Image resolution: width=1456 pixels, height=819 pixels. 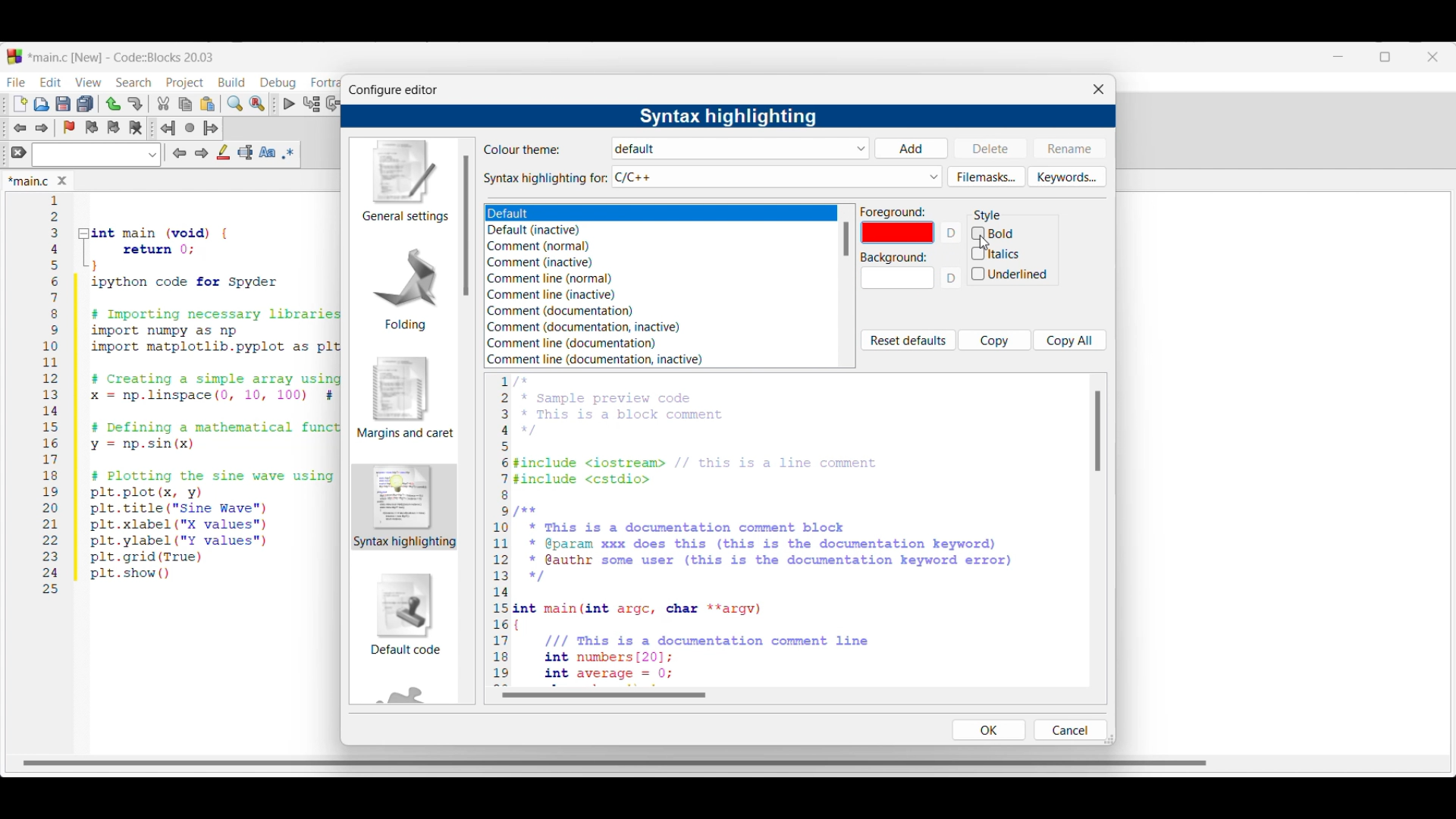 I want to click on Next line, so click(x=334, y=104).